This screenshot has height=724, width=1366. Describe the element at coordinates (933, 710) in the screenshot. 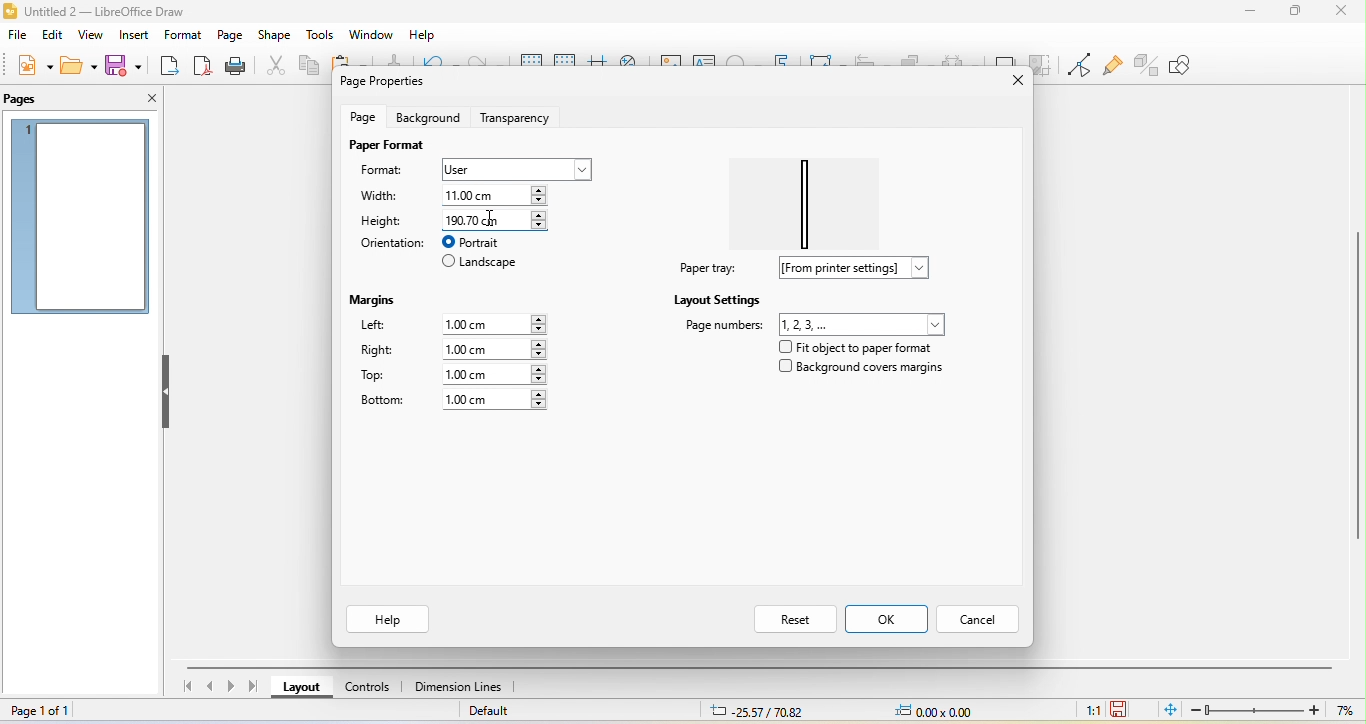

I see `0.00x0.00` at that location.